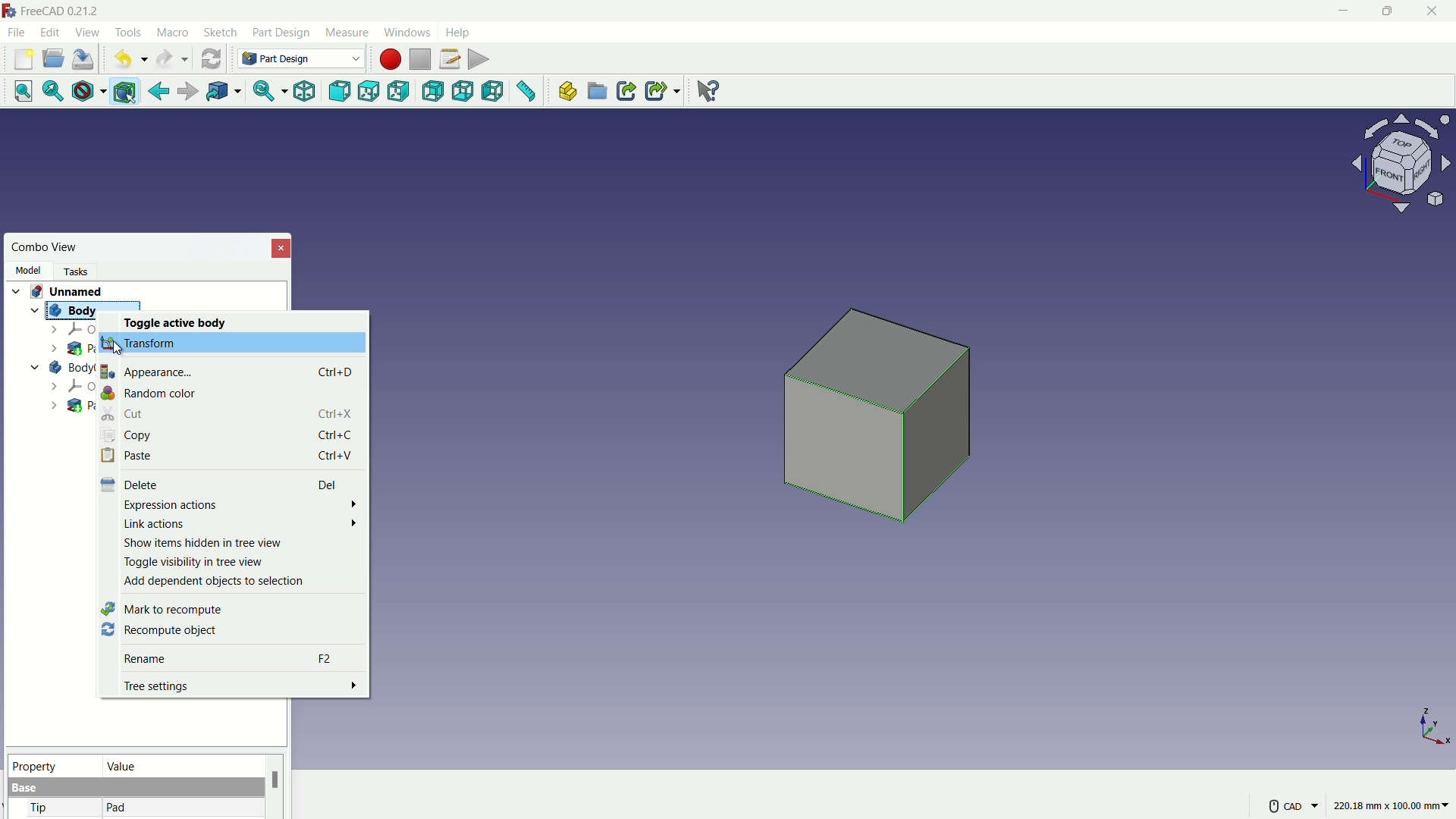  I want to click on front view, so click(341, 92).